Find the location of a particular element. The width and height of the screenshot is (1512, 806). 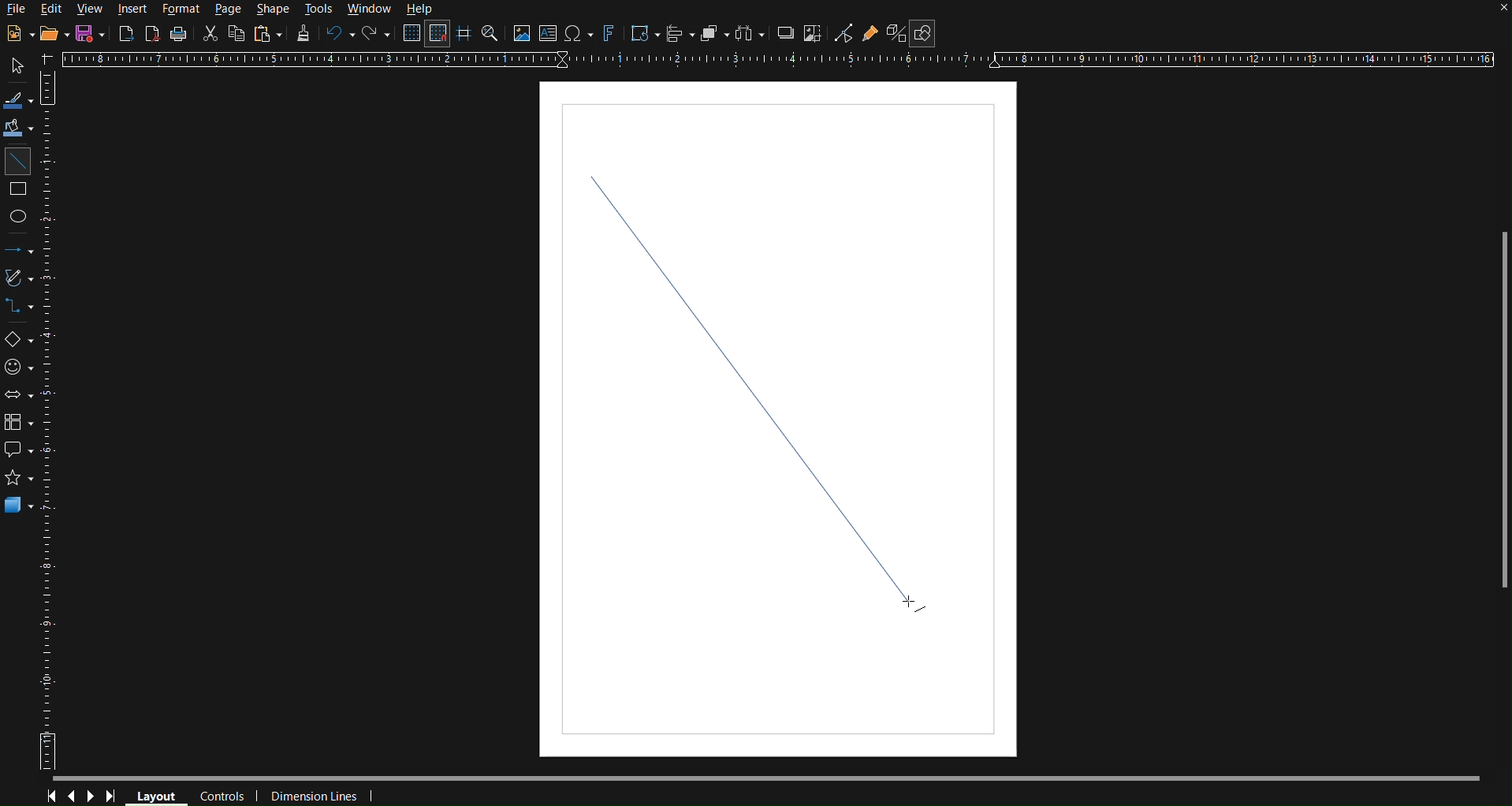

Ellipse is located at coordinates (19, 215).